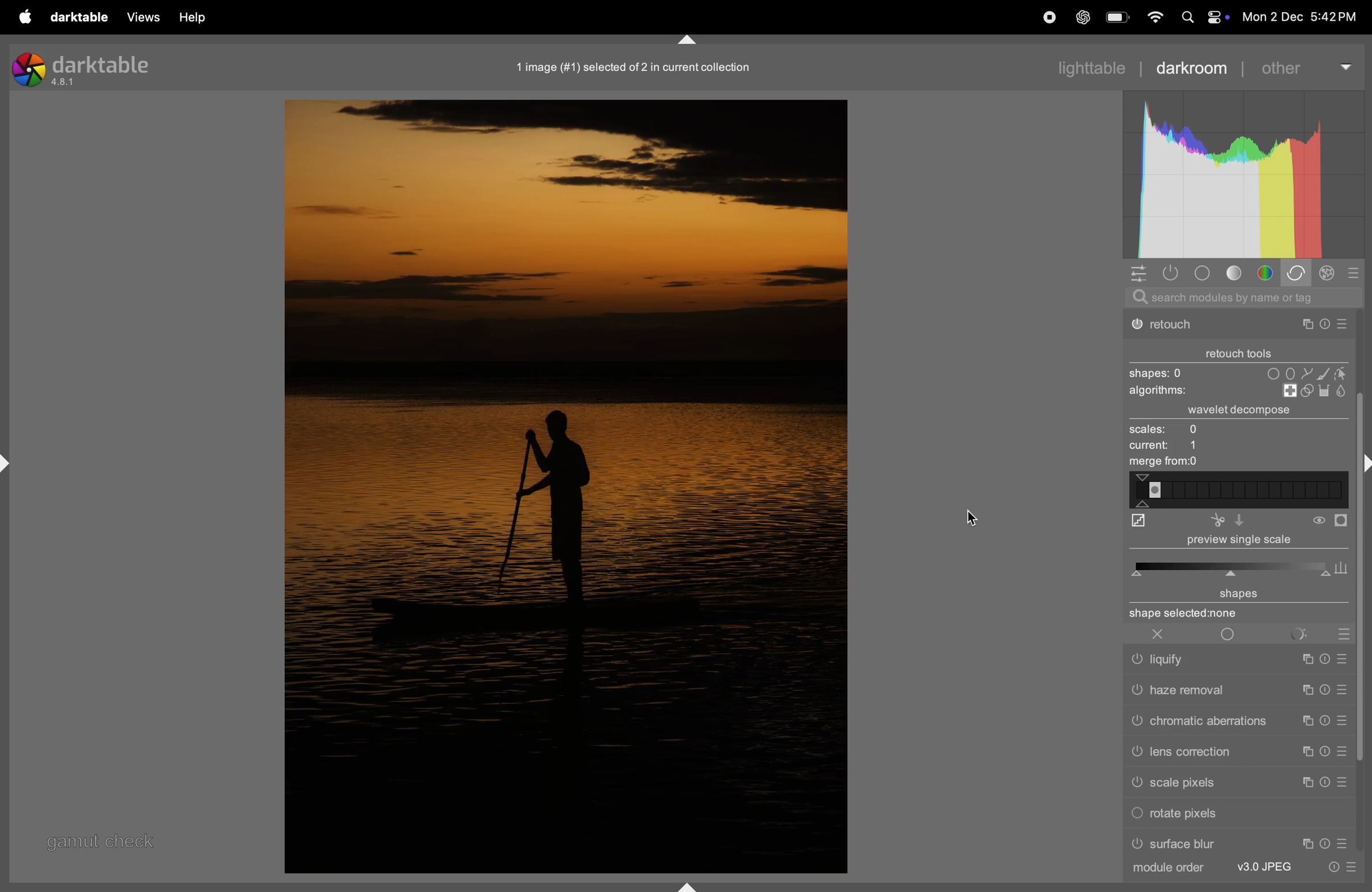 The image size is (1372, 892). I want to click on close, so click(1160, 634).